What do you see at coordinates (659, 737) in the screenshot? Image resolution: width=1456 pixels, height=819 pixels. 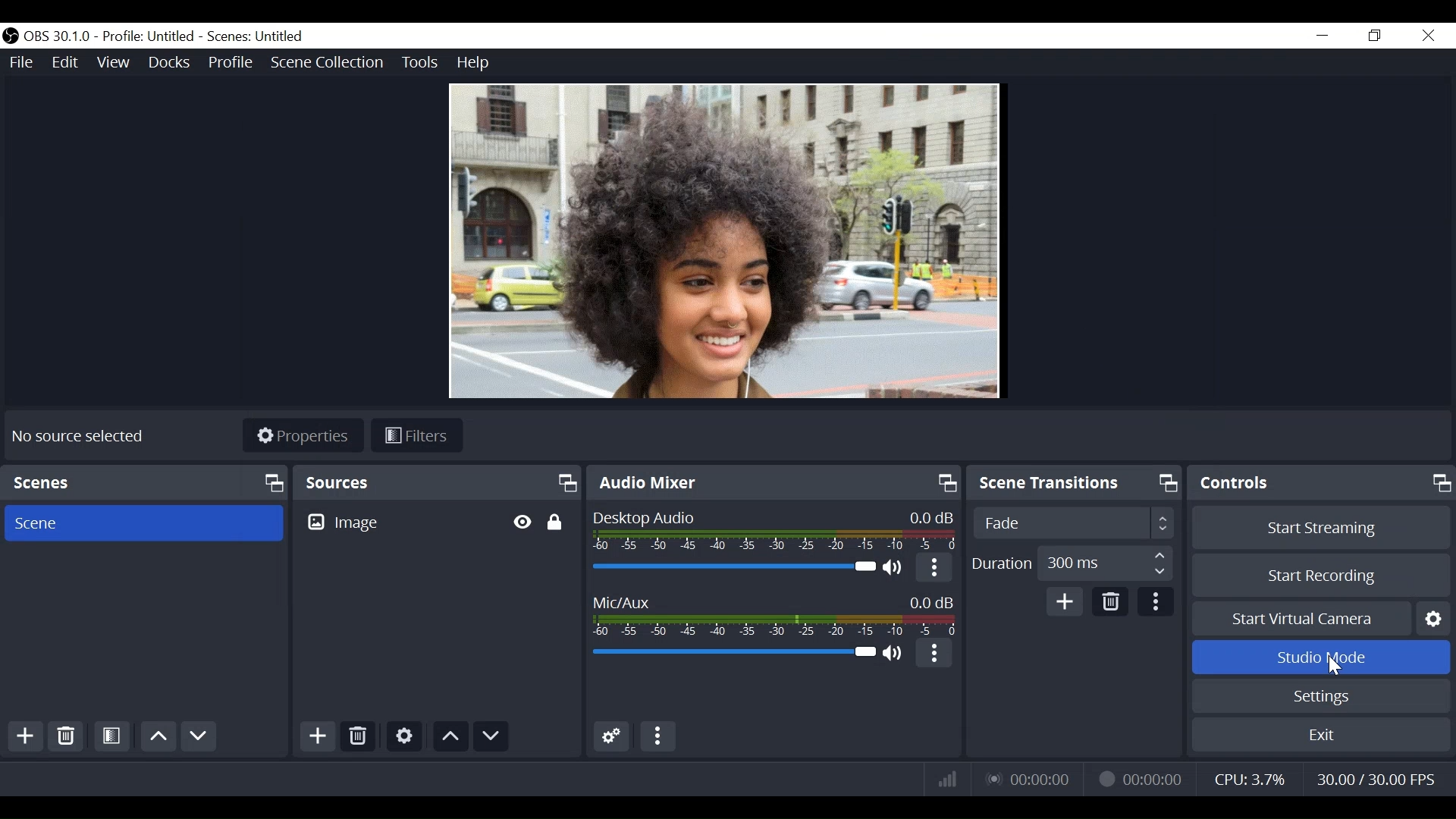 I see `more options` at bounding box center [659, 737].